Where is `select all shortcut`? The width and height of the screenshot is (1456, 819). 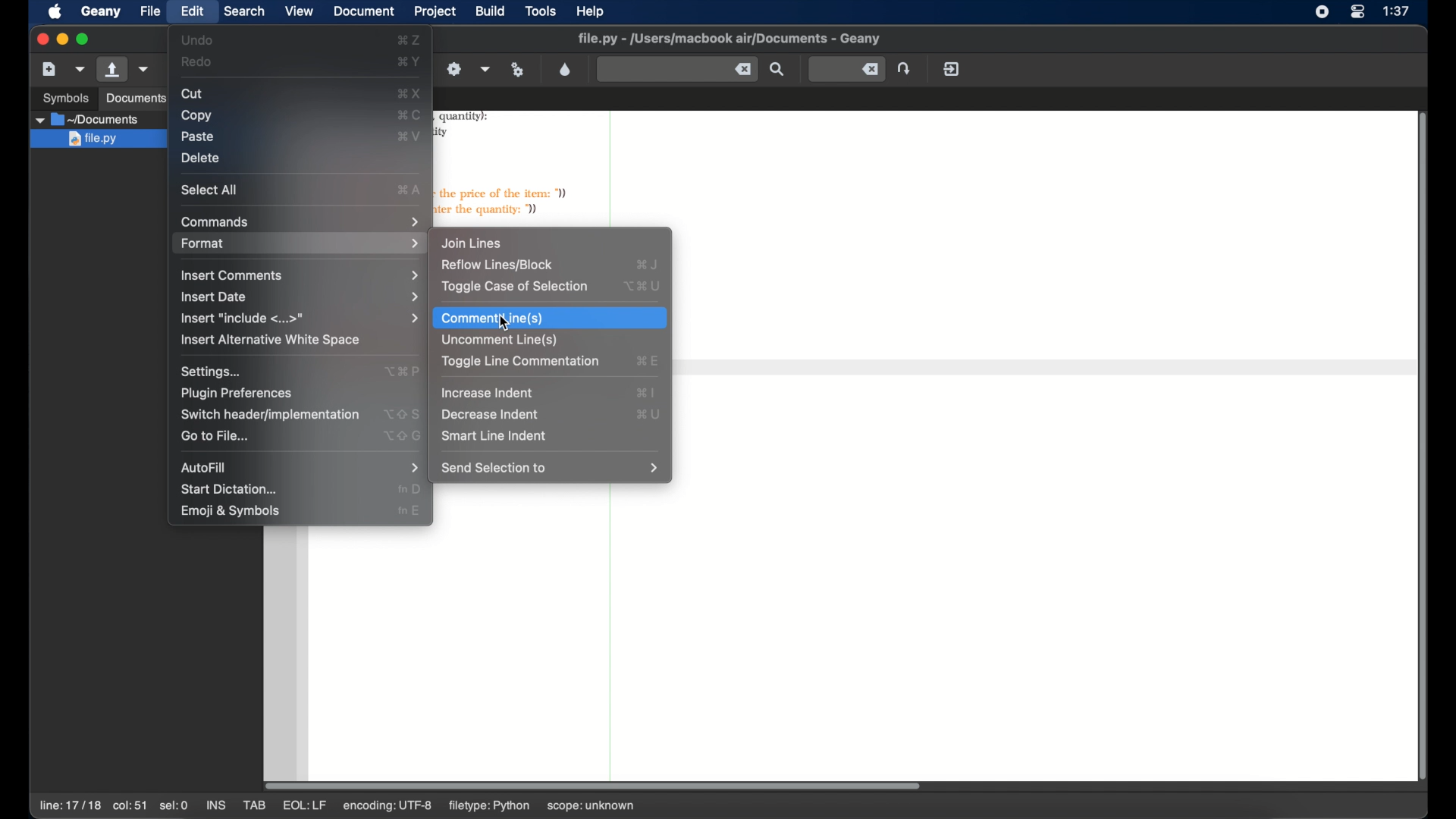
select all shortcut is located at coordinates (409, 190).